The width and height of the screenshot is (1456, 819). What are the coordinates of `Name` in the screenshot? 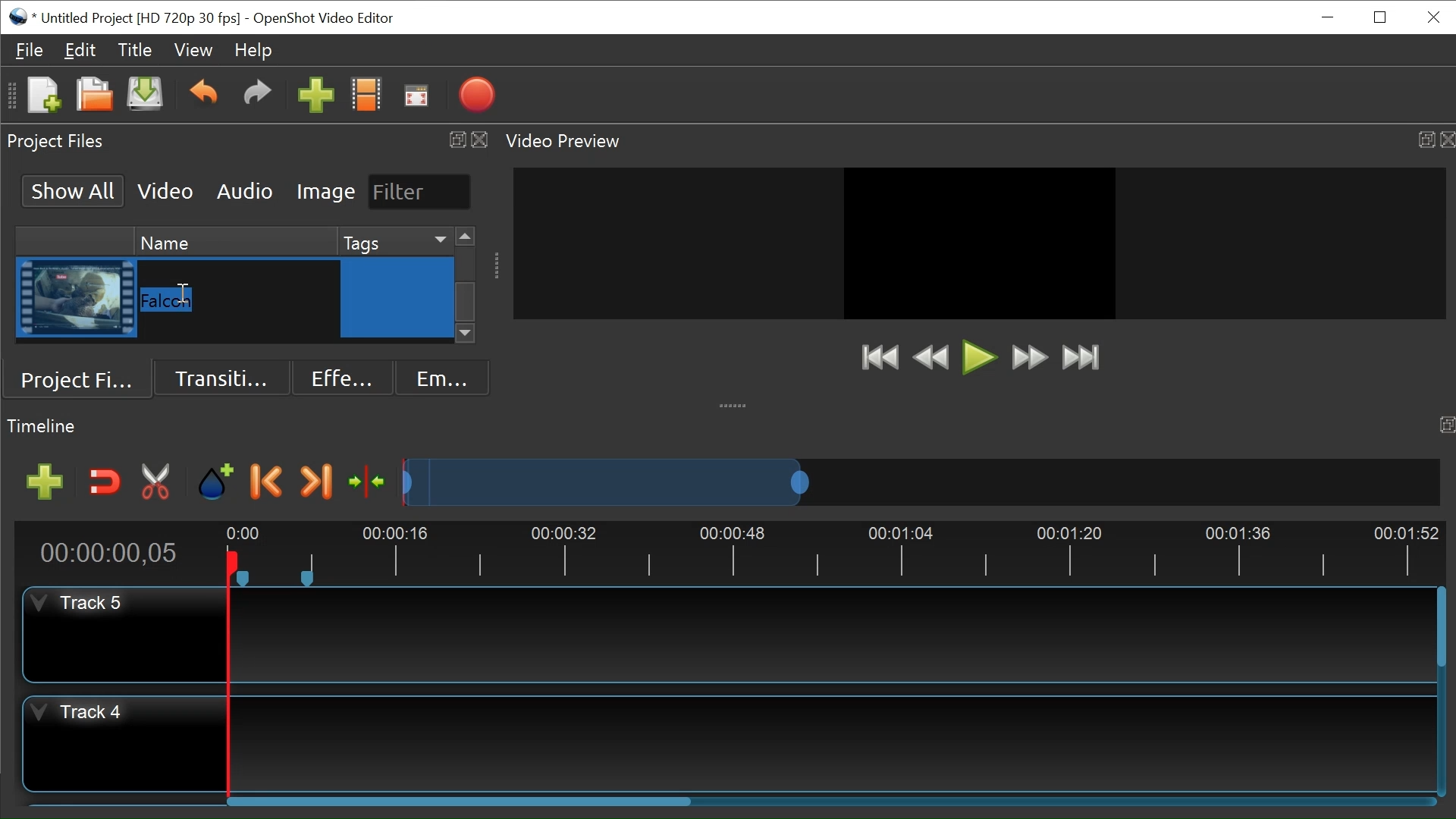 It's located at (233, 240).